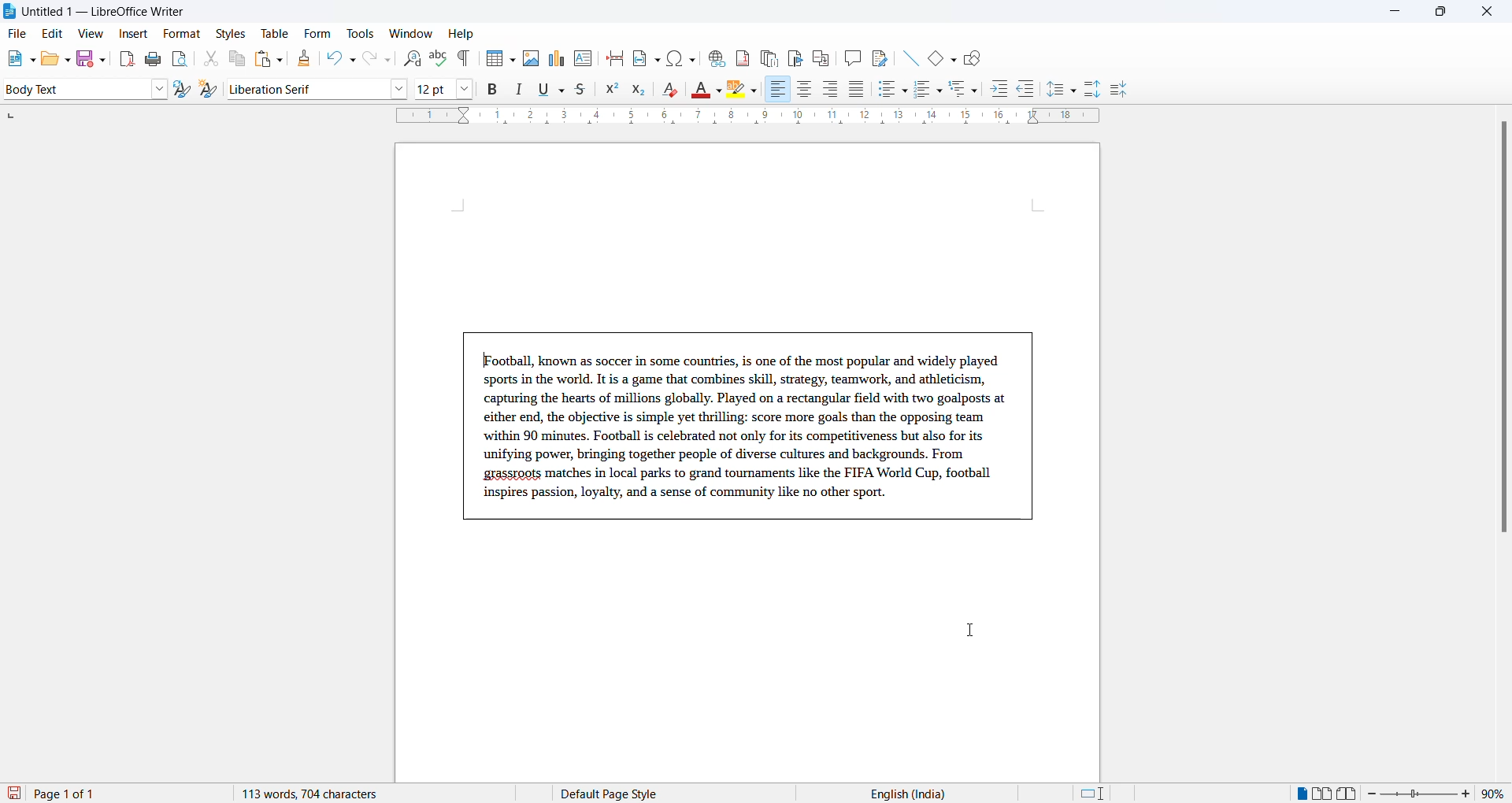 This screenshot has width=1512, height=803. Describe the element at coordinates (1393, 14) in the screenshot. I see `minimize` at that location.